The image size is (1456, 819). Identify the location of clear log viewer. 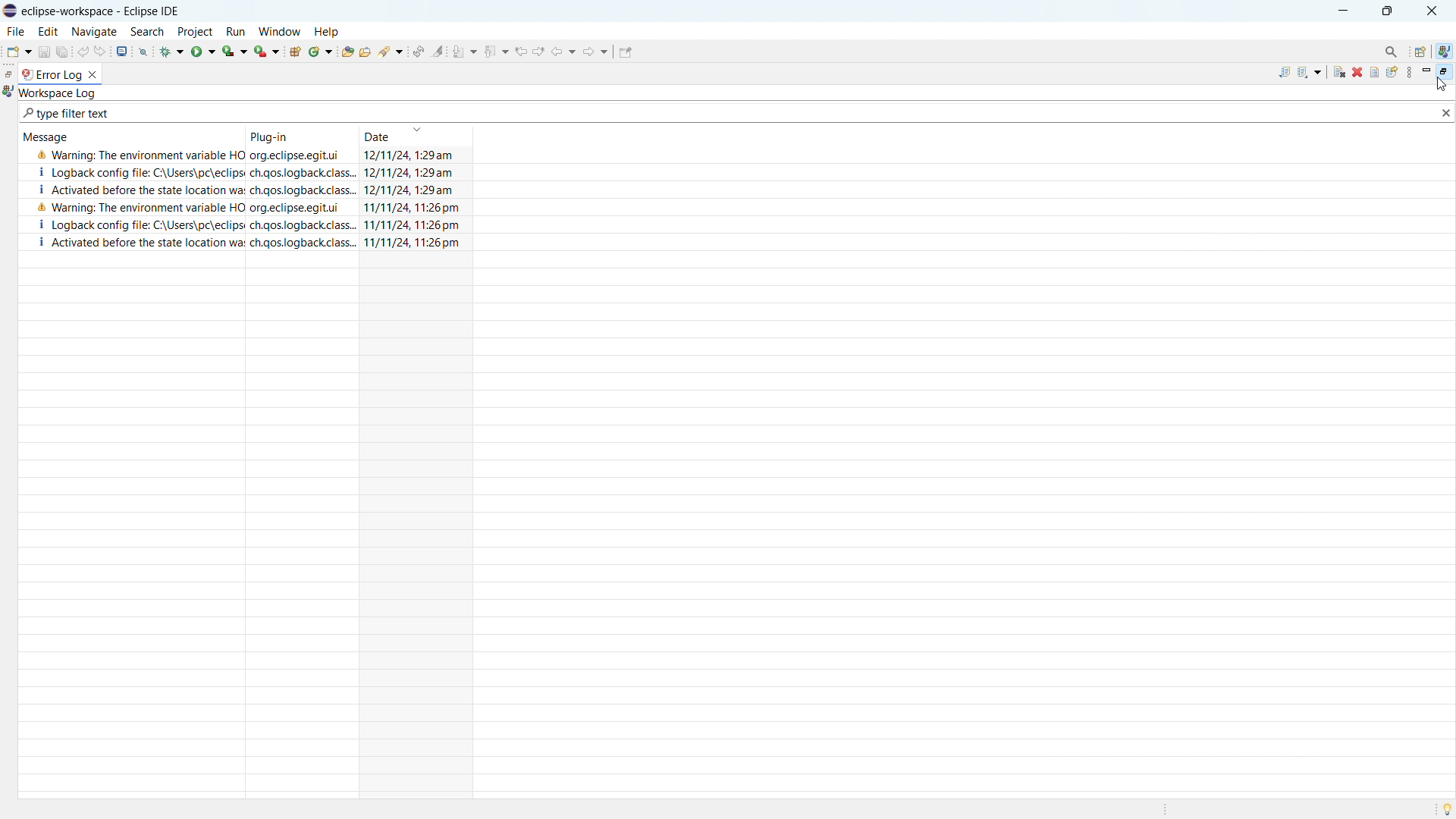
(1339, 71).